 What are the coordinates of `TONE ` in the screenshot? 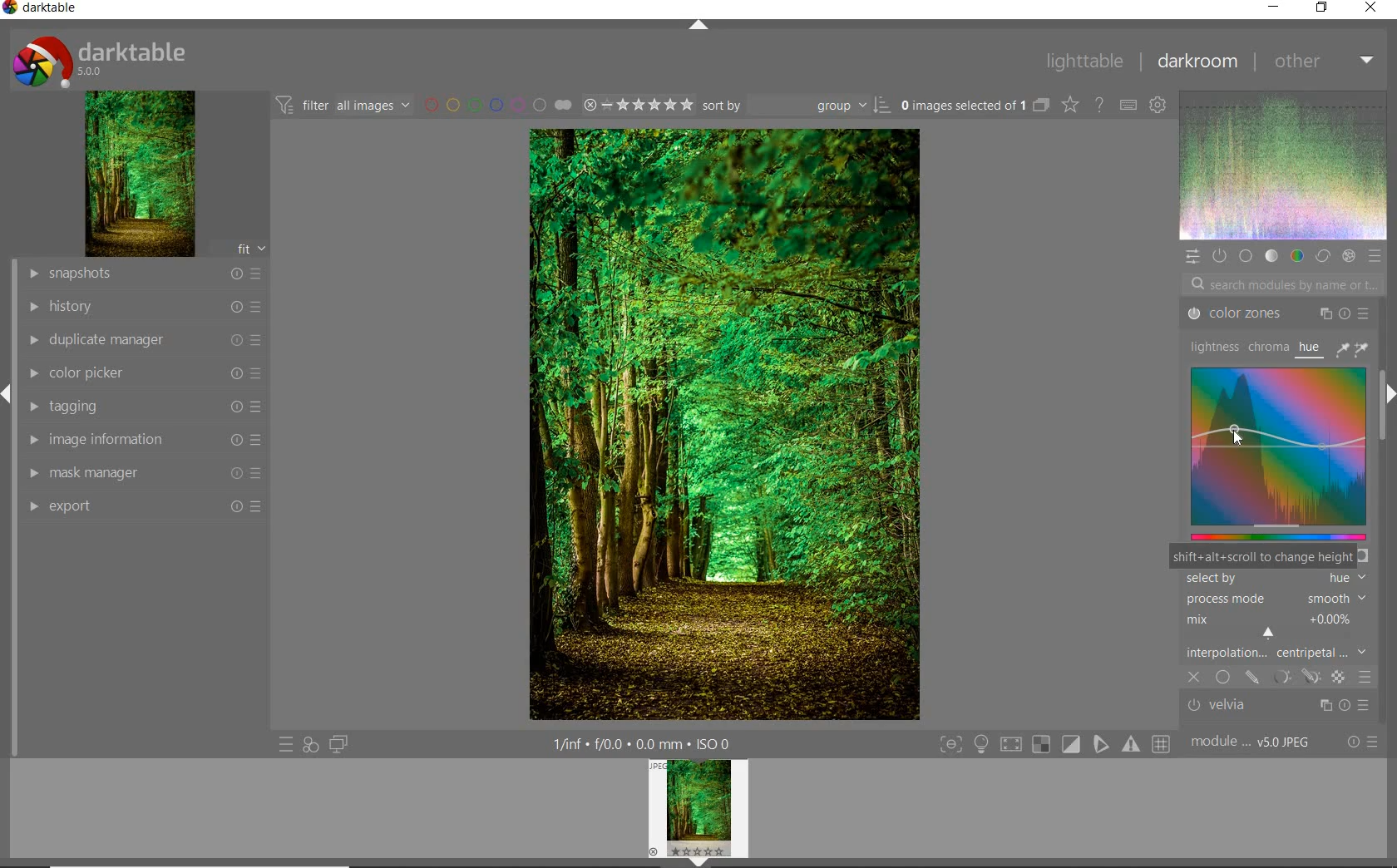 It's located at (1271, 256).